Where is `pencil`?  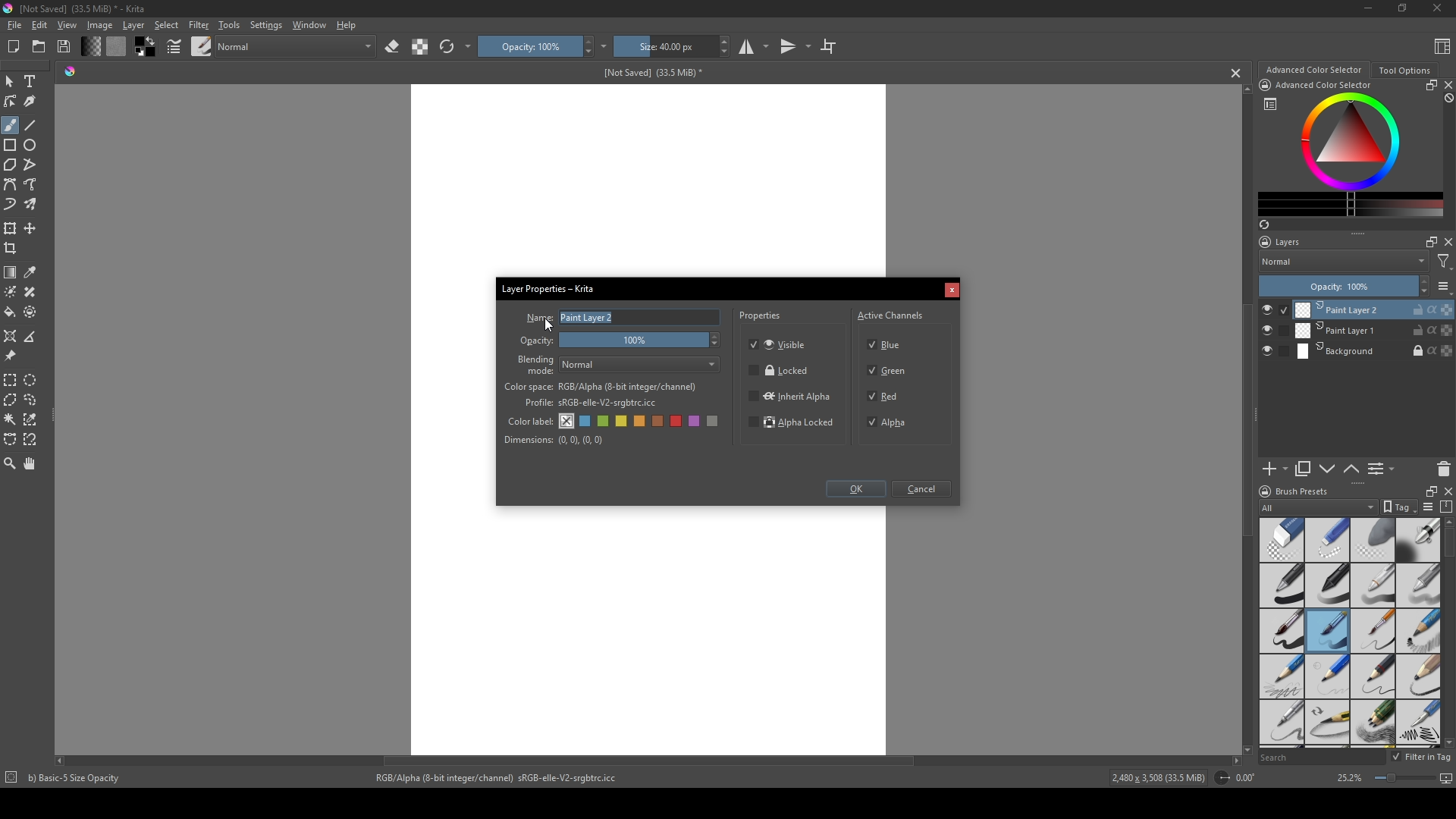 pencil is located at coordinates (1326, 676).